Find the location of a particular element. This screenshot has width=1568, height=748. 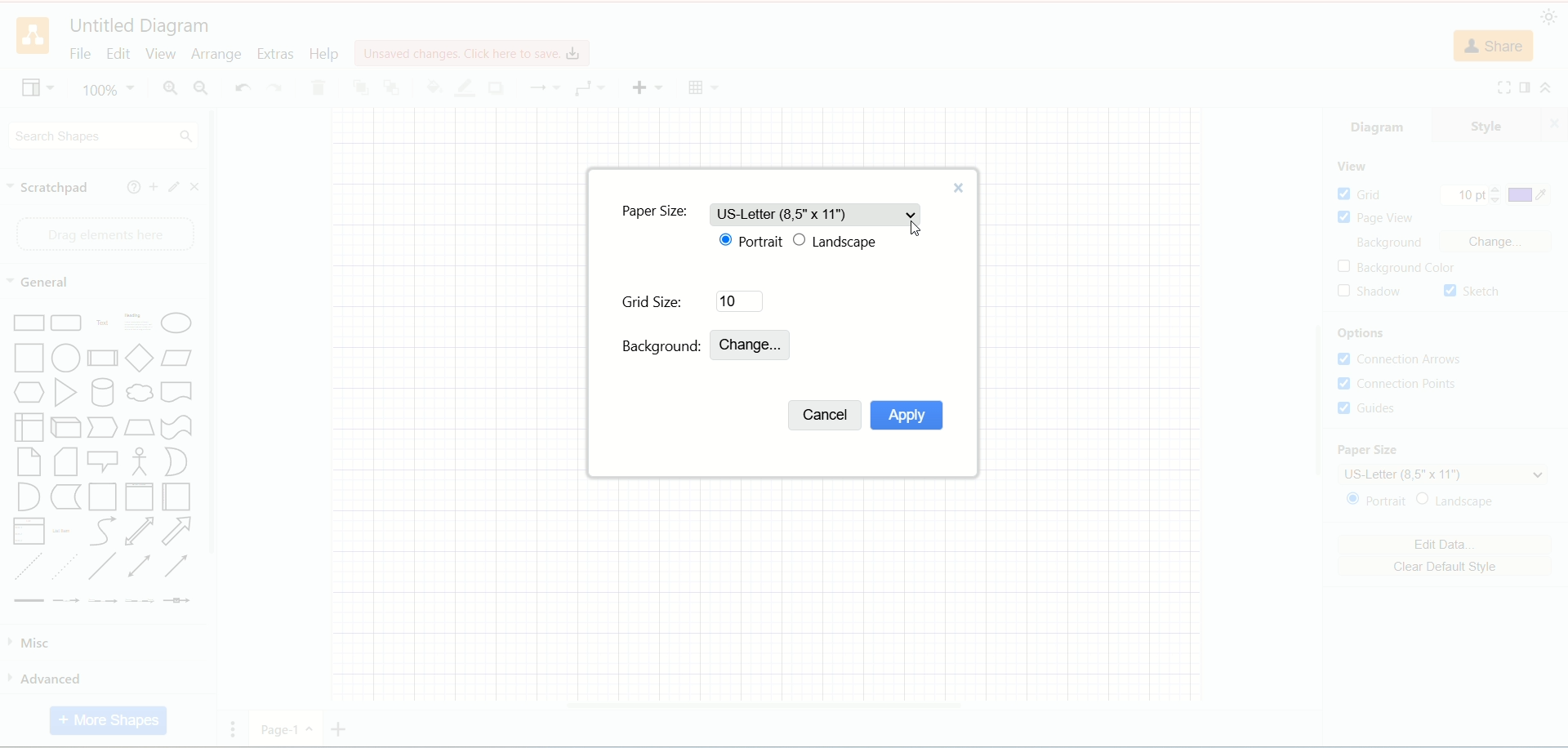

Process is located at coordinates (104, 361).